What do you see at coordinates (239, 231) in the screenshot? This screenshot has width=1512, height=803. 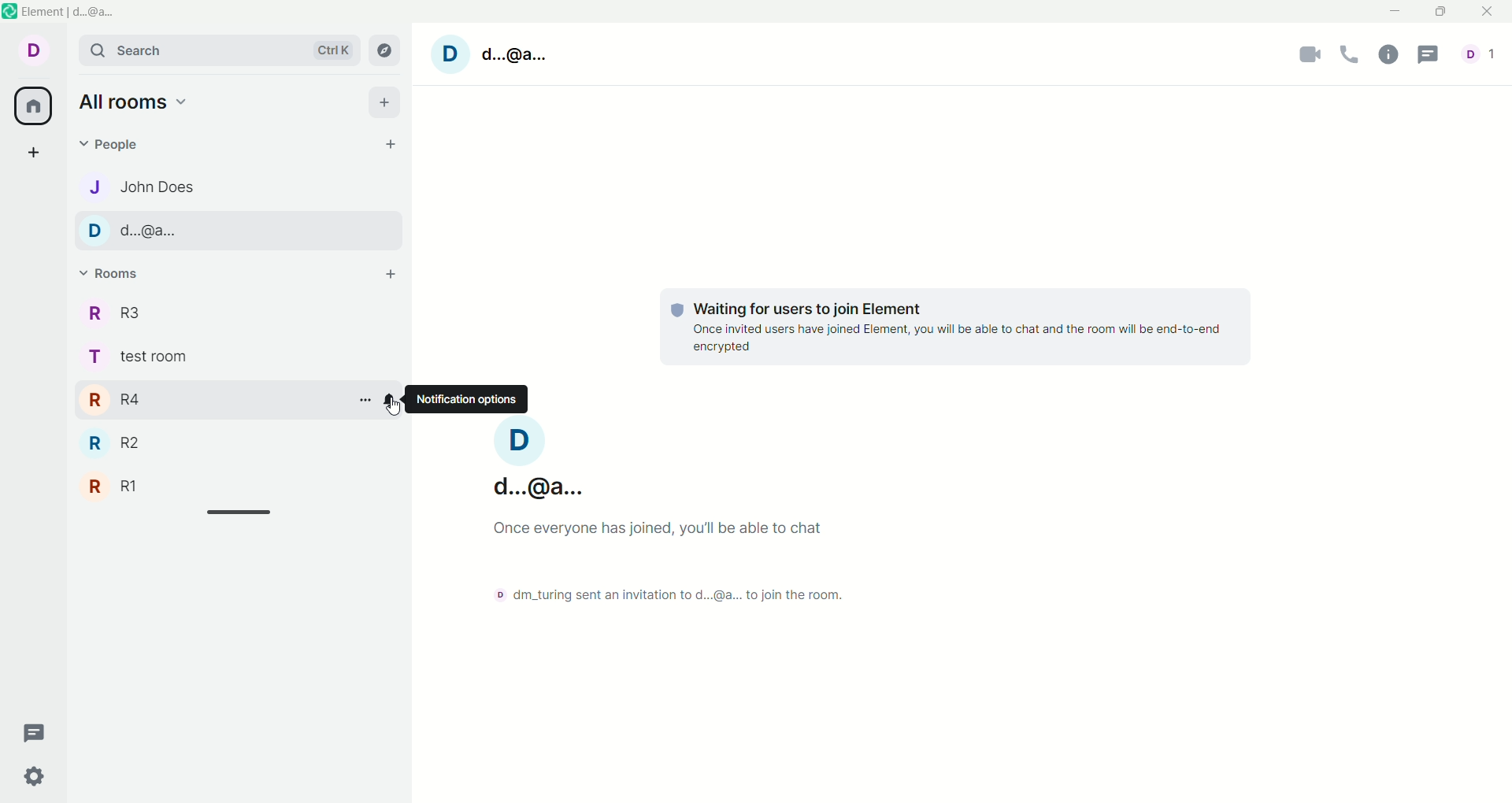 I see `d...@a..., chat 2` at bounding box center [239, 231].